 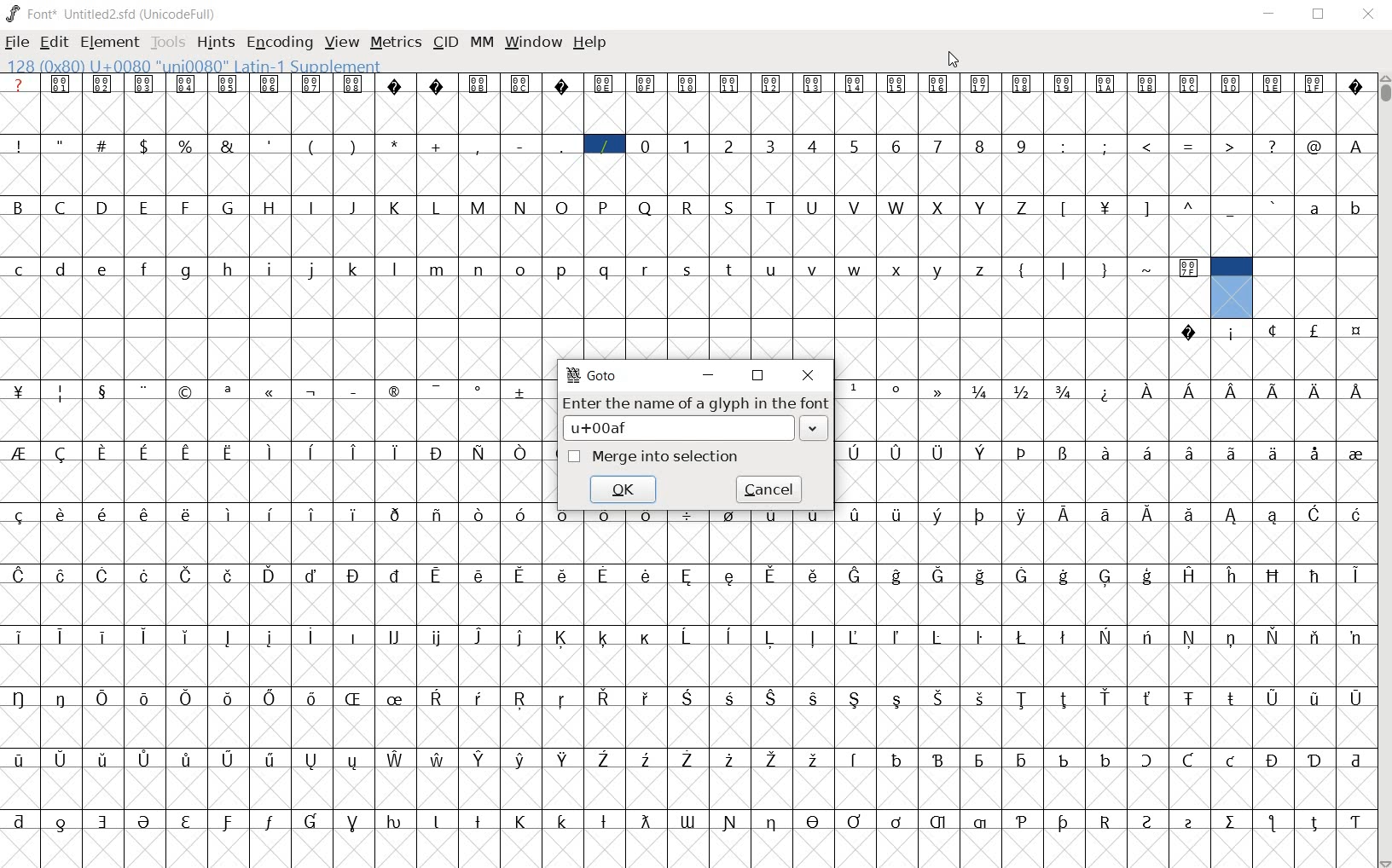 What do you see at coordinates (229, 514) in the screenshot?
I see `Symbol` at bounding box center [229, 514].